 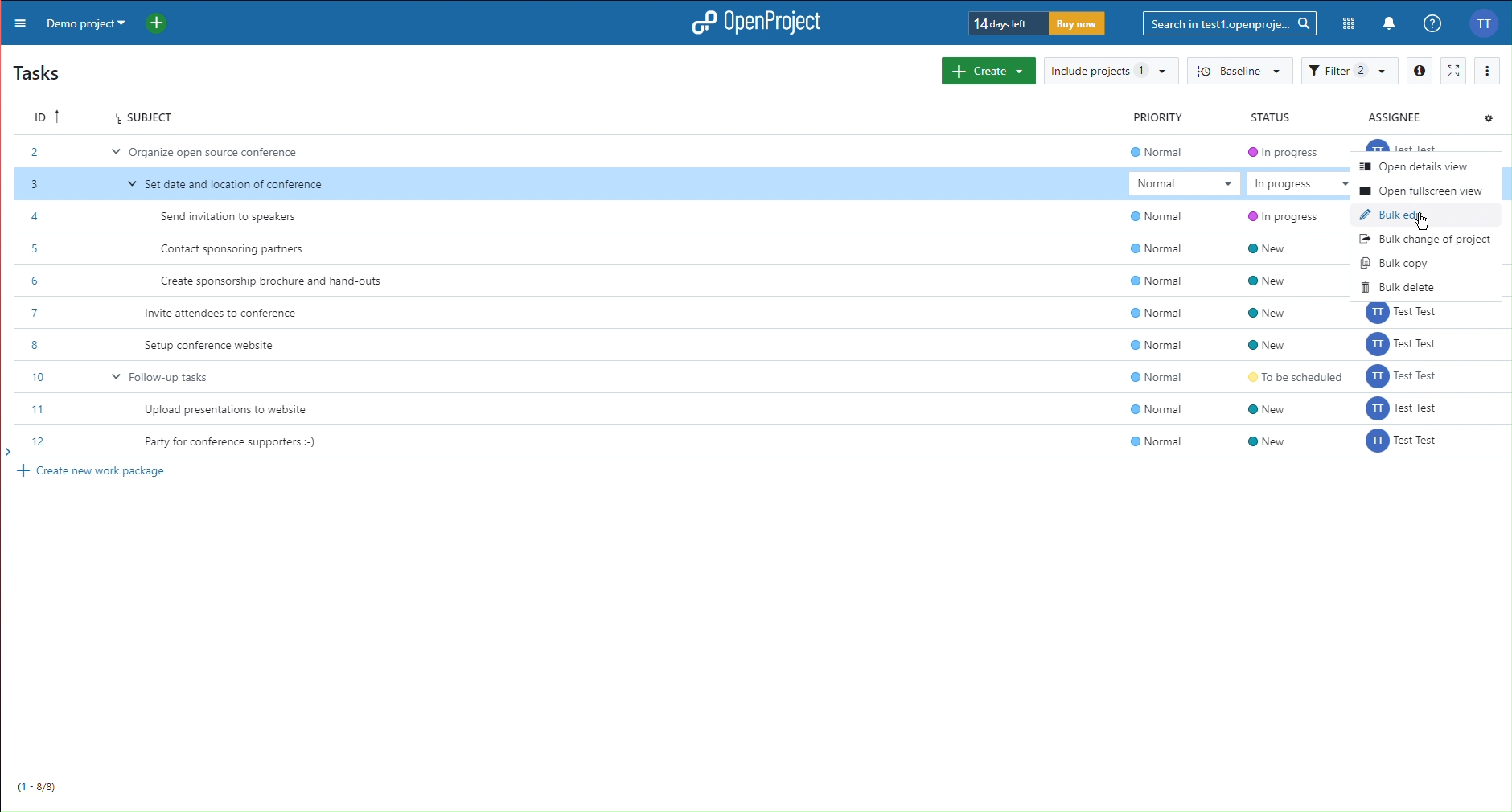 What do you see at coordinates (1411, 167) in the screenshot?
I see `Open details view` at bounding box center [1411, 167].